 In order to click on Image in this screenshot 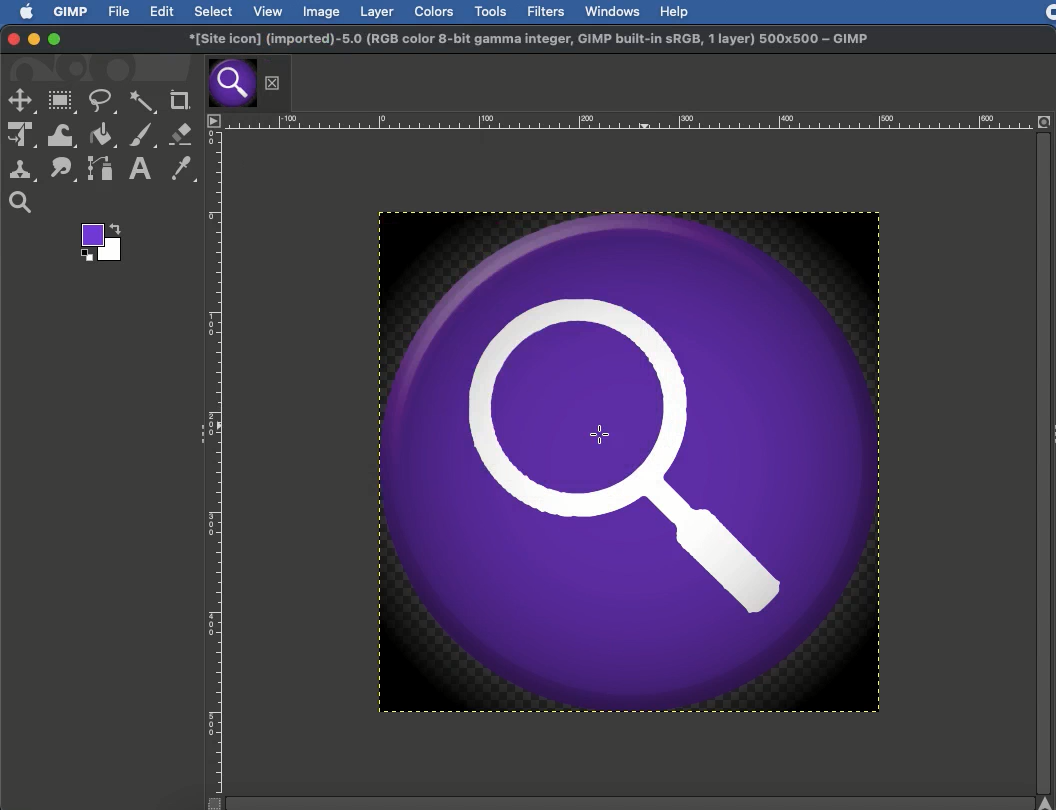, I will do `click(320, 11)`.